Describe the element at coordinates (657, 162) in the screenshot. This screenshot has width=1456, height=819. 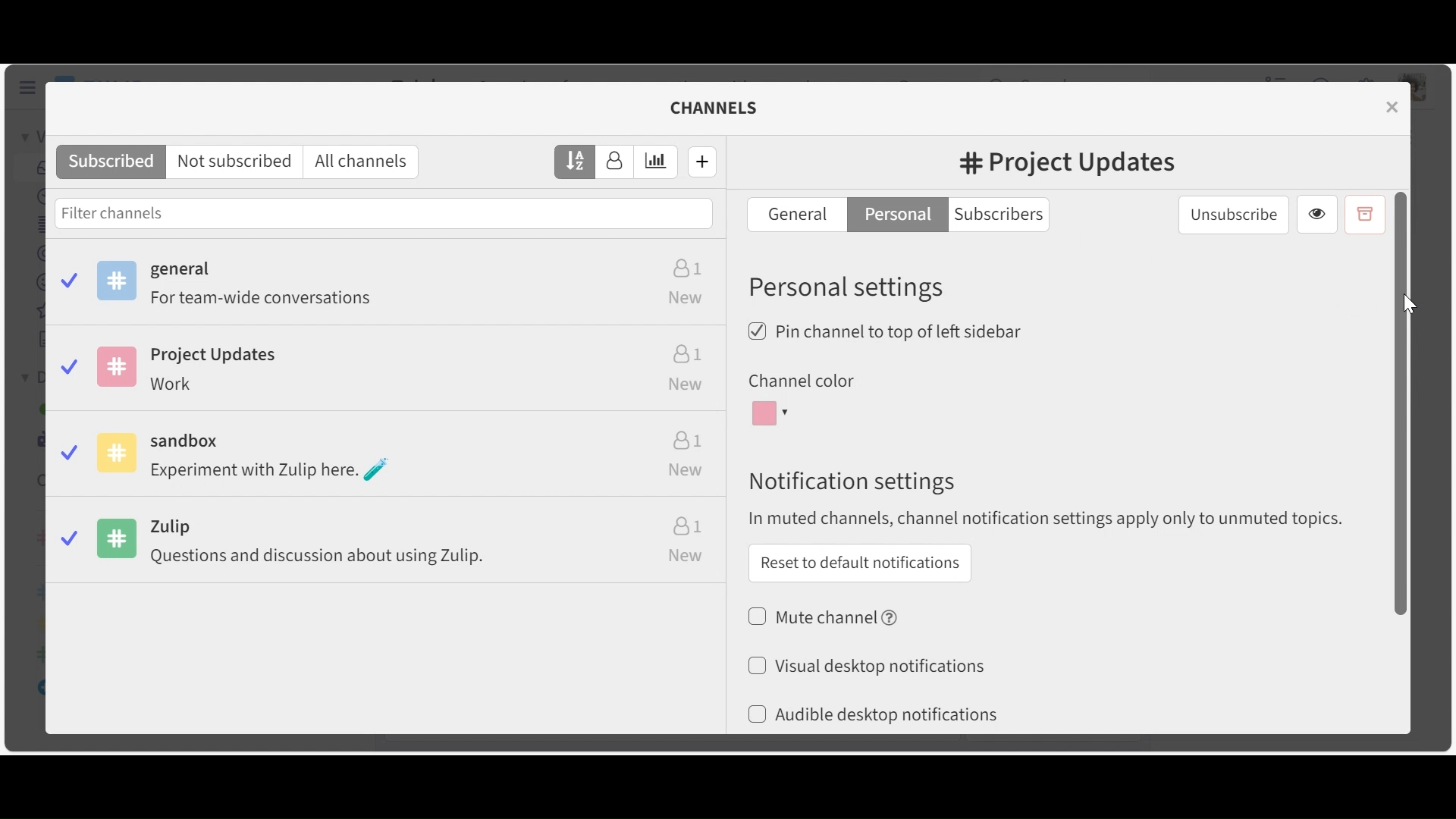
I see `Sort by estimated weekly traffic` at that location.